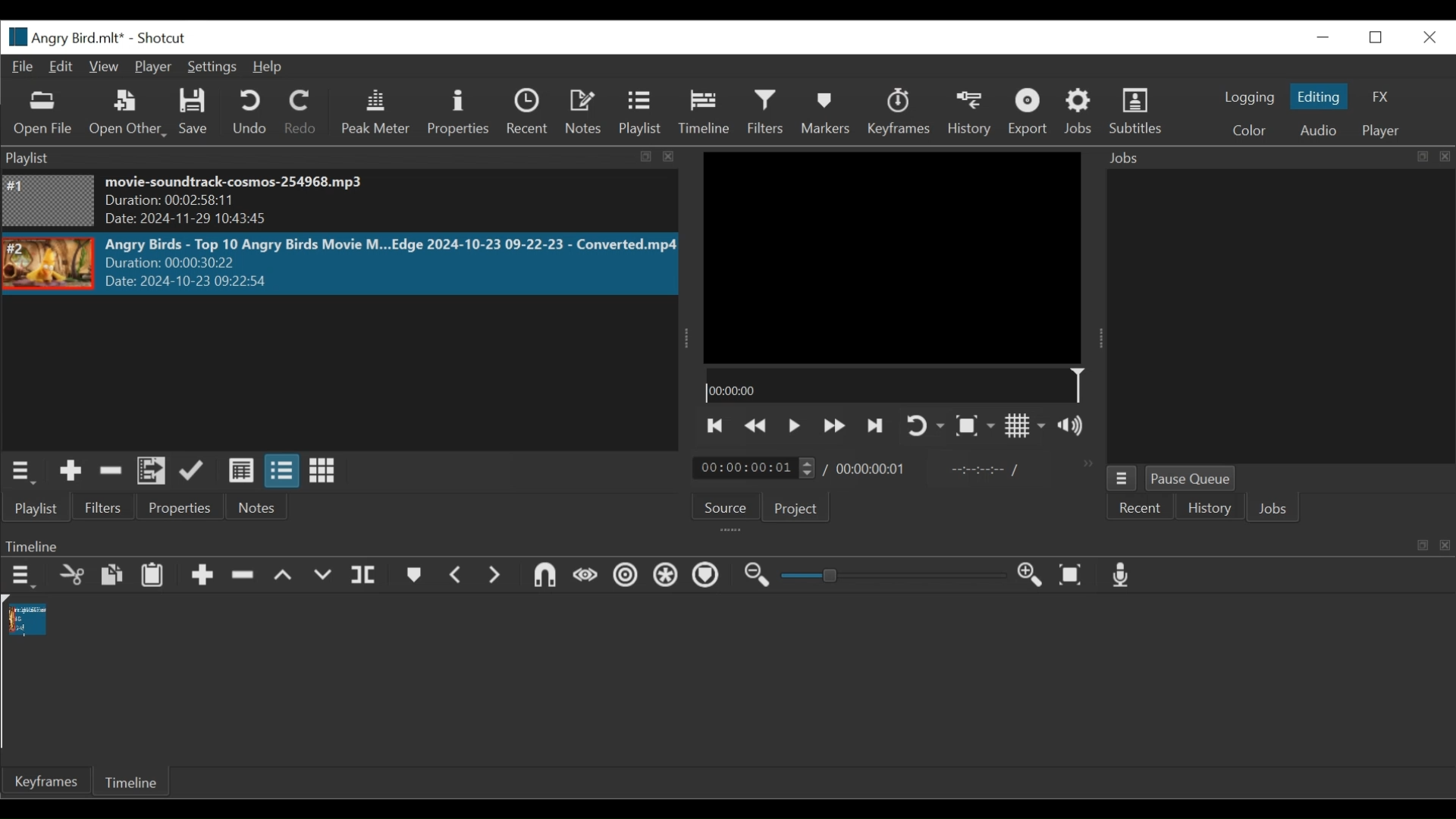 This screenshot has width=1456, height=819. I want to click on Player, so click(1382, 132).